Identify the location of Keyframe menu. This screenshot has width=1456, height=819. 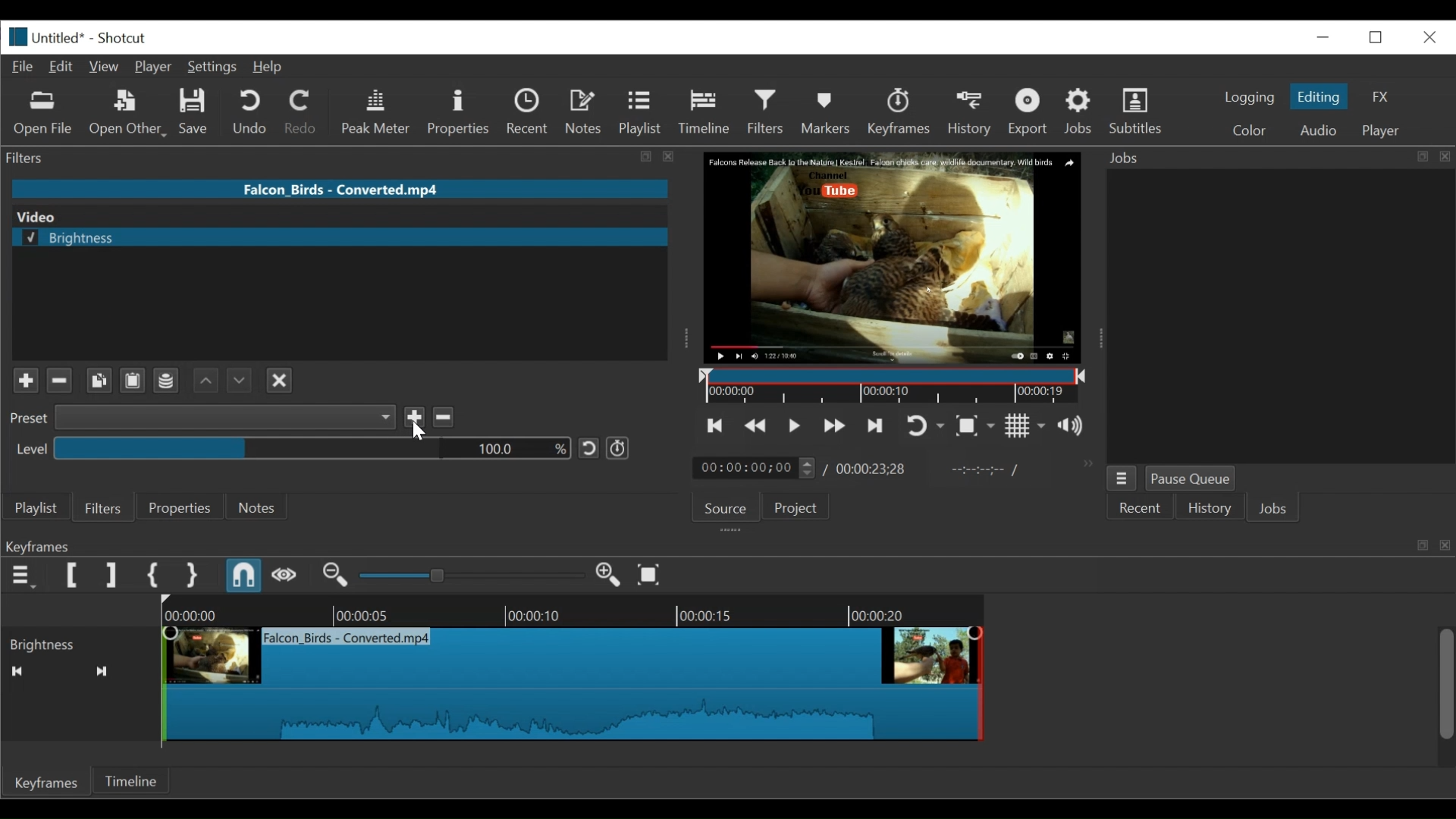
(23, 576).